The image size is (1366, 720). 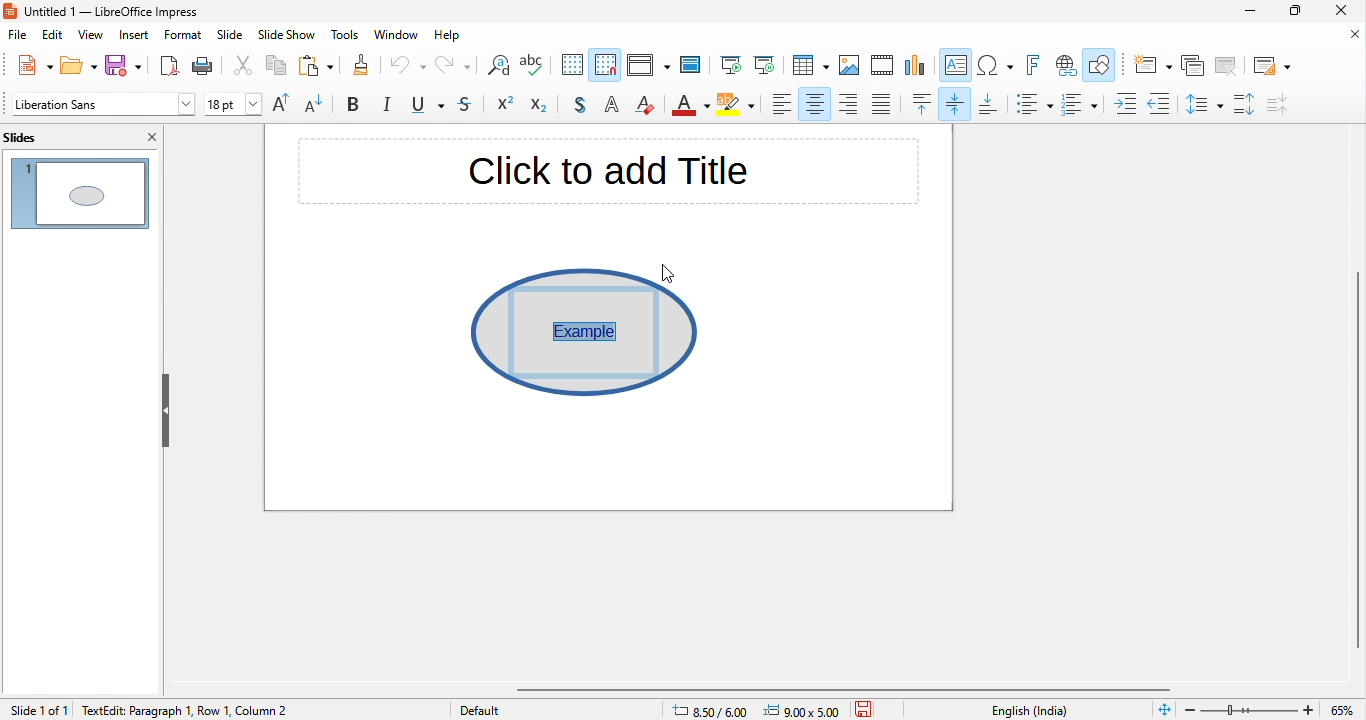 What do you see at coordinates (313, 67) in the screenshot?
I see `paste` at bounding box center [313, 67].